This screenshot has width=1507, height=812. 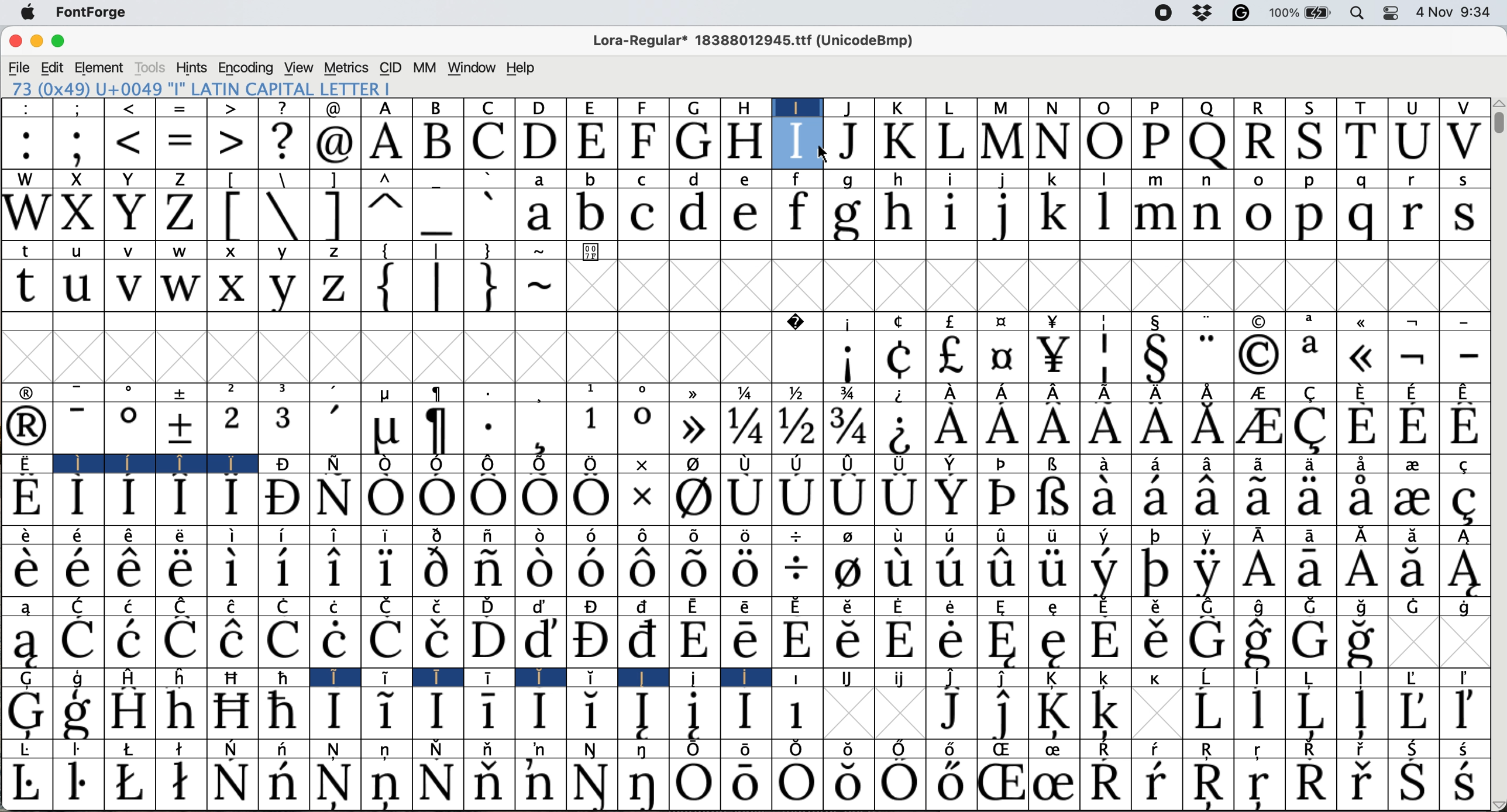 What do you see at coordinates (439, 107) in the screenshot?
I see `B` at bounding box center [439, 107].